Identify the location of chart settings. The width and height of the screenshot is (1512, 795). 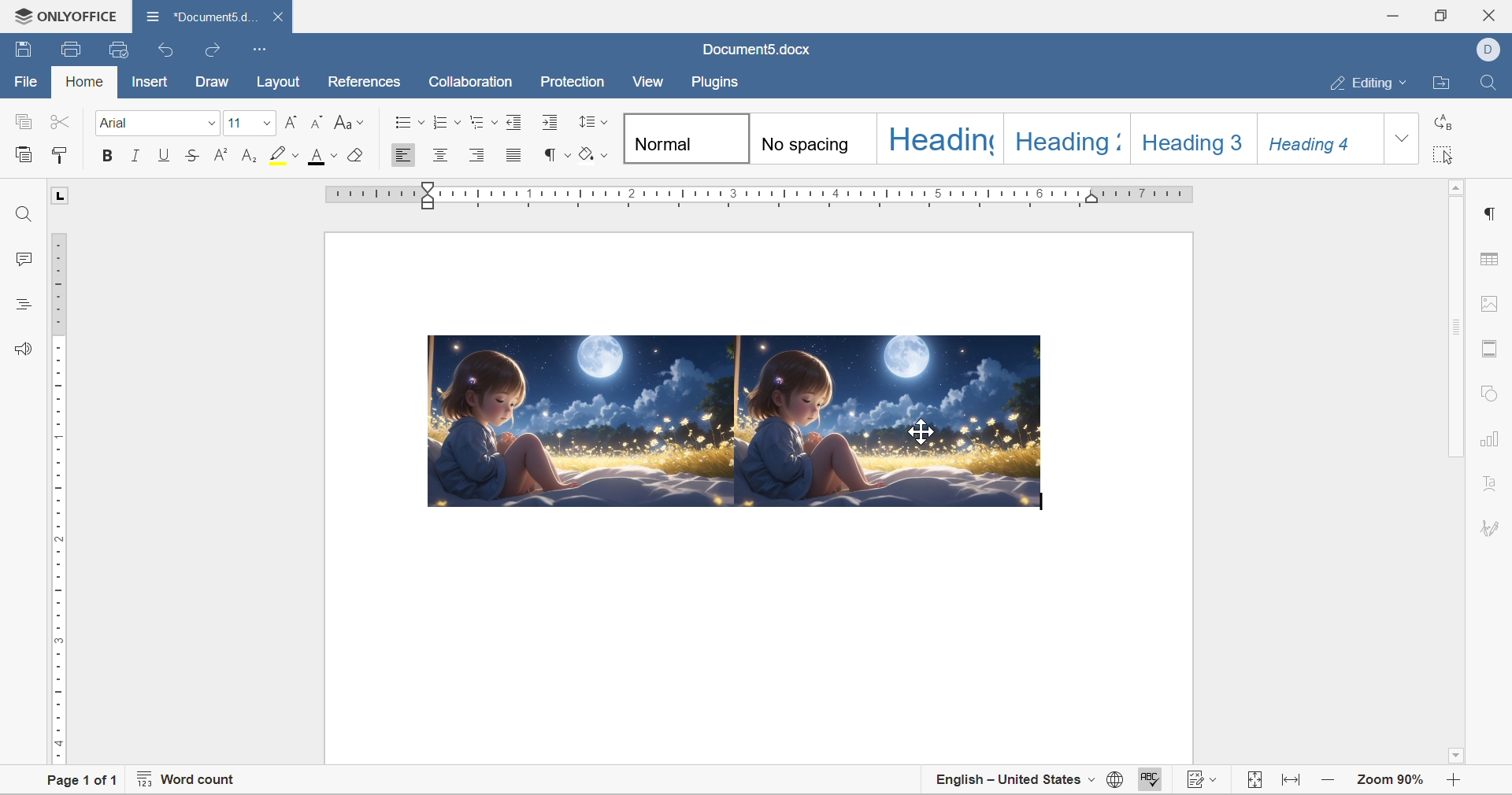
(1491, 436).